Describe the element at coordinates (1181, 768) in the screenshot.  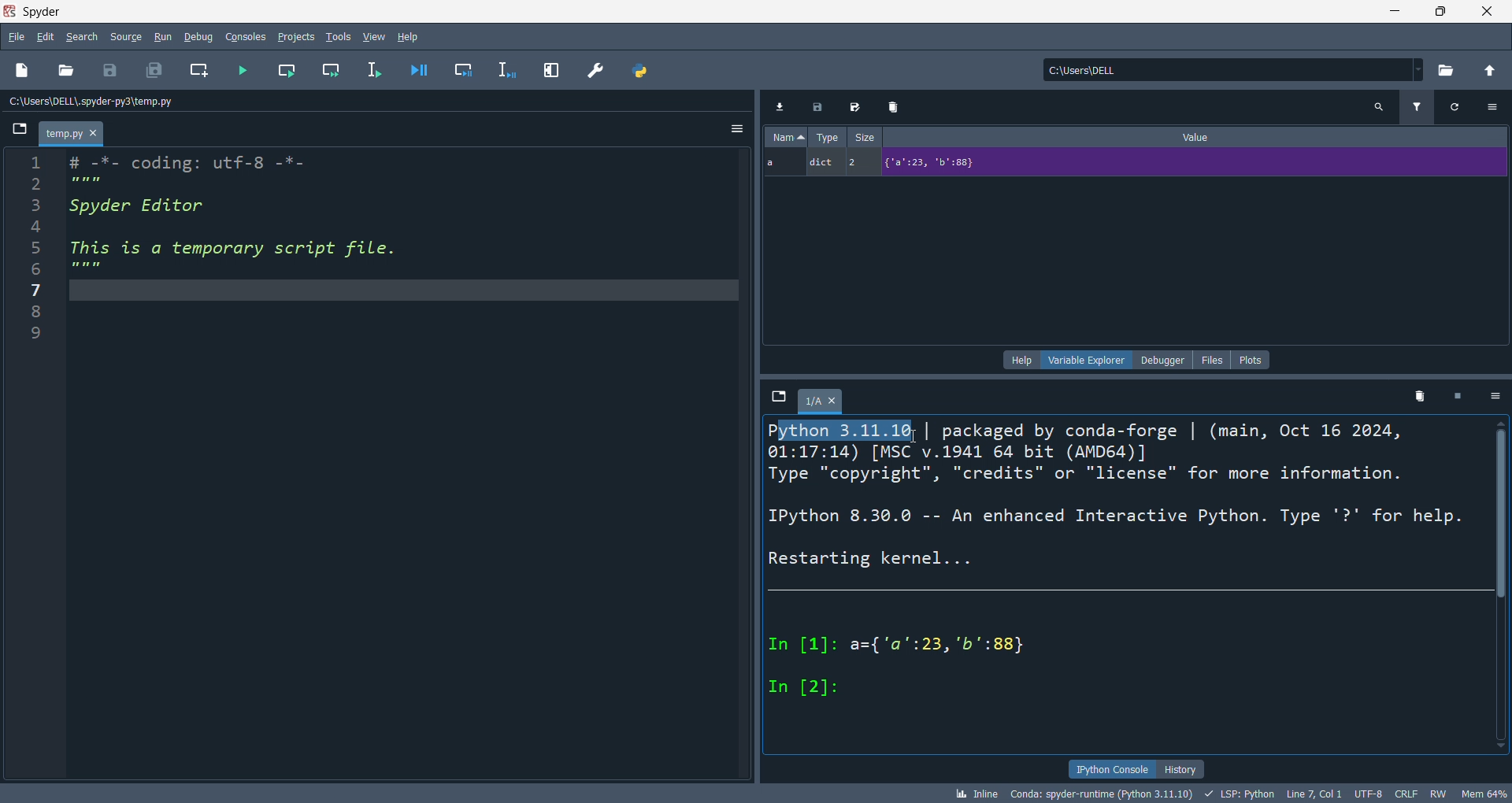
I see `history` at that location.